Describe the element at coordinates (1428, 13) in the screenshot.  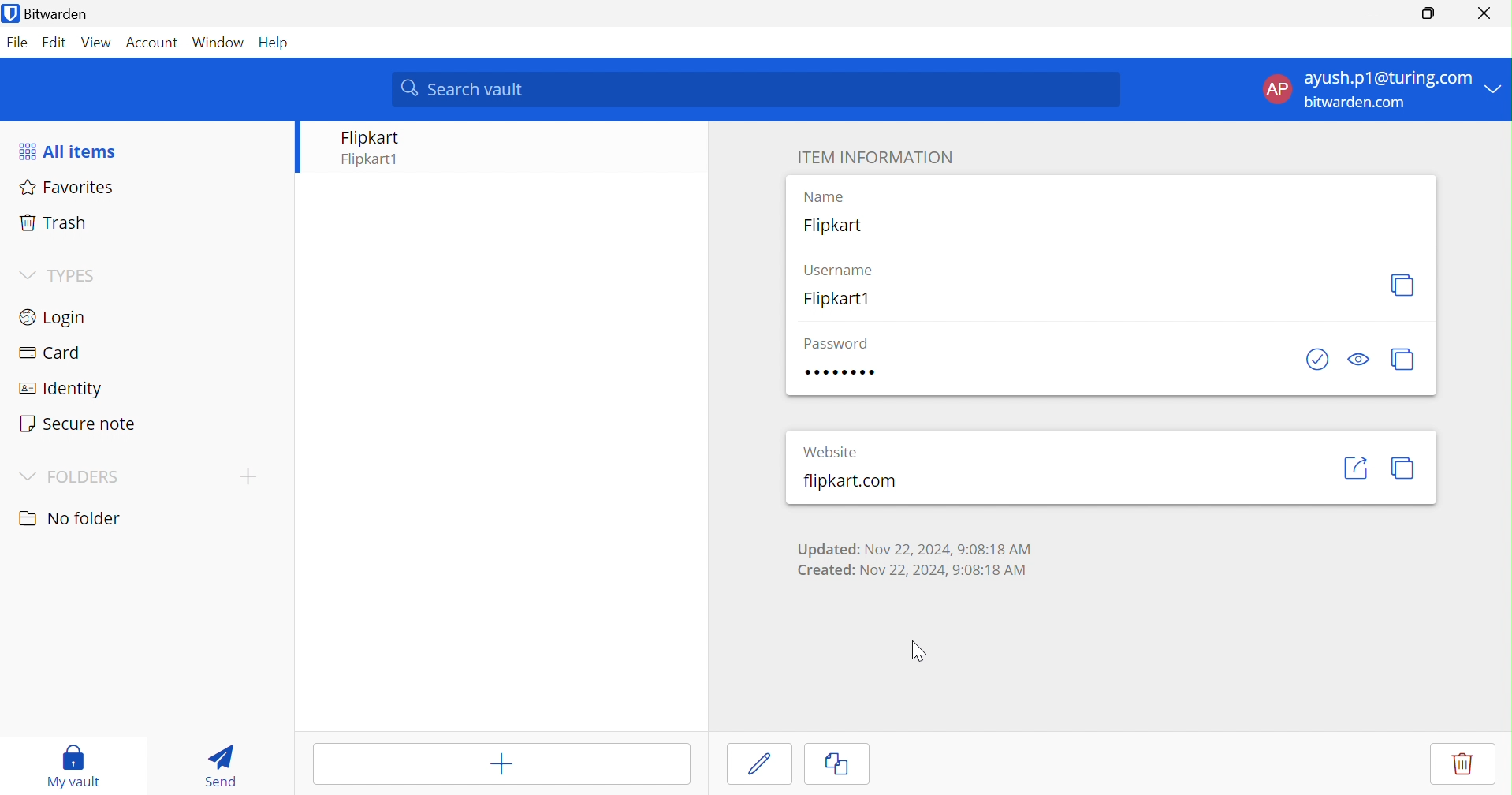
I see `Restore Down` at that location.